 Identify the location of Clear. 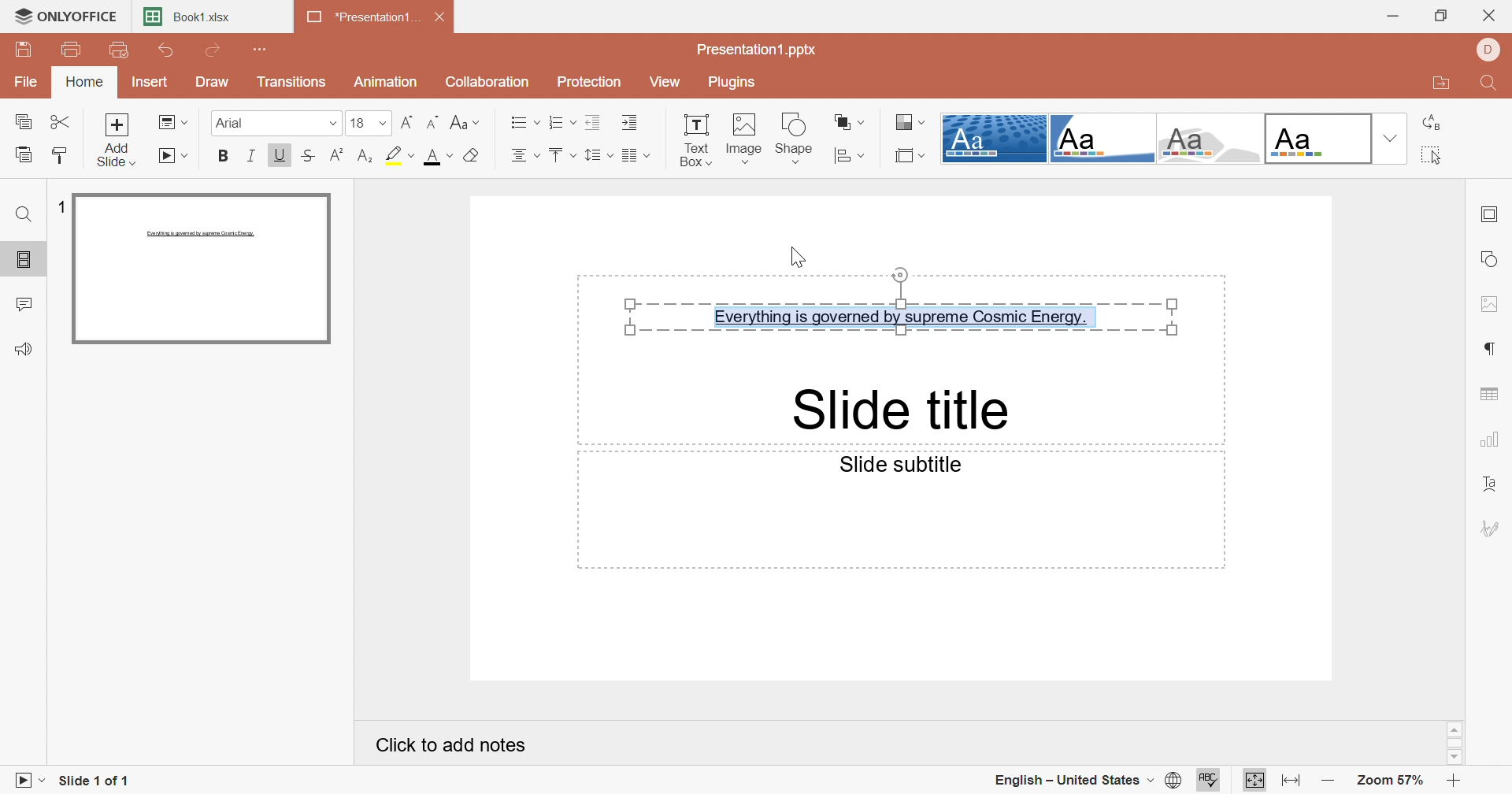
(475, 155).